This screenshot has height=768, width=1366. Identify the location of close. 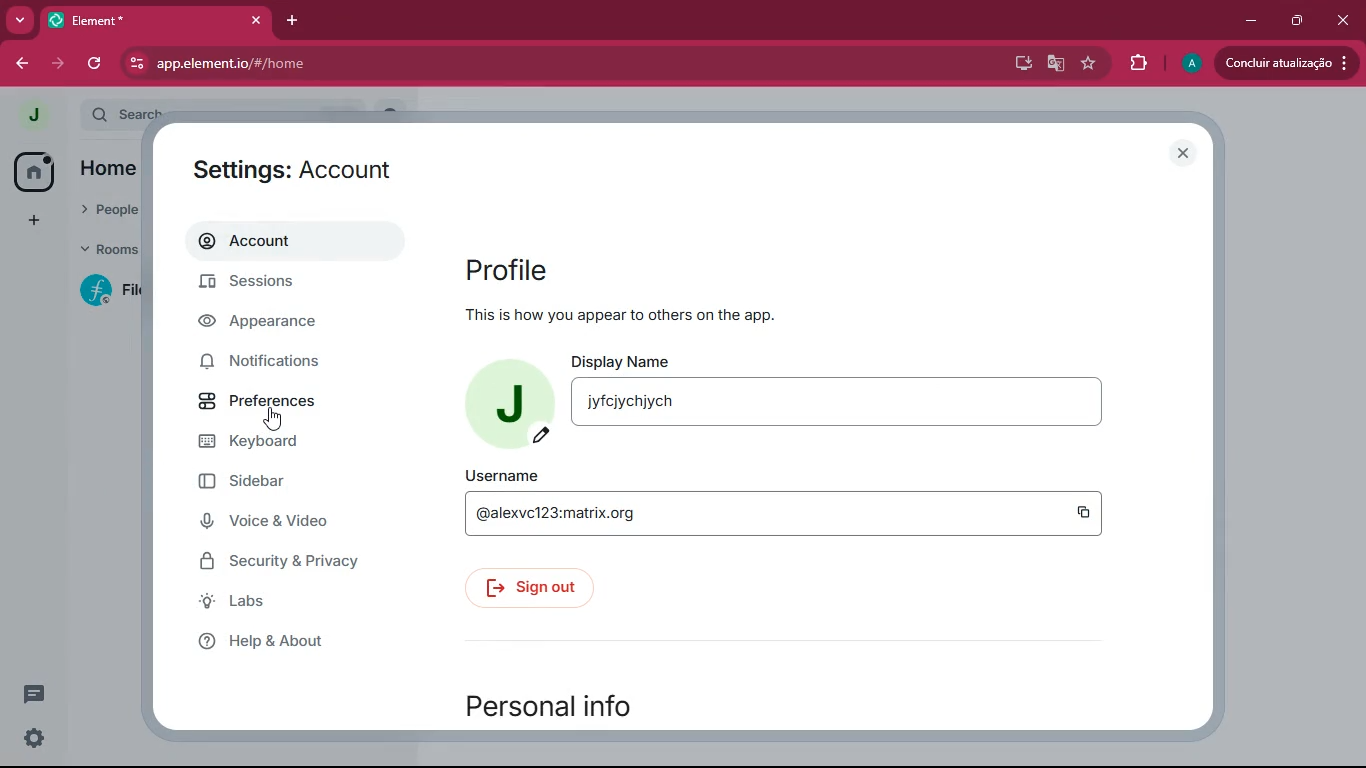
(1342, 21).